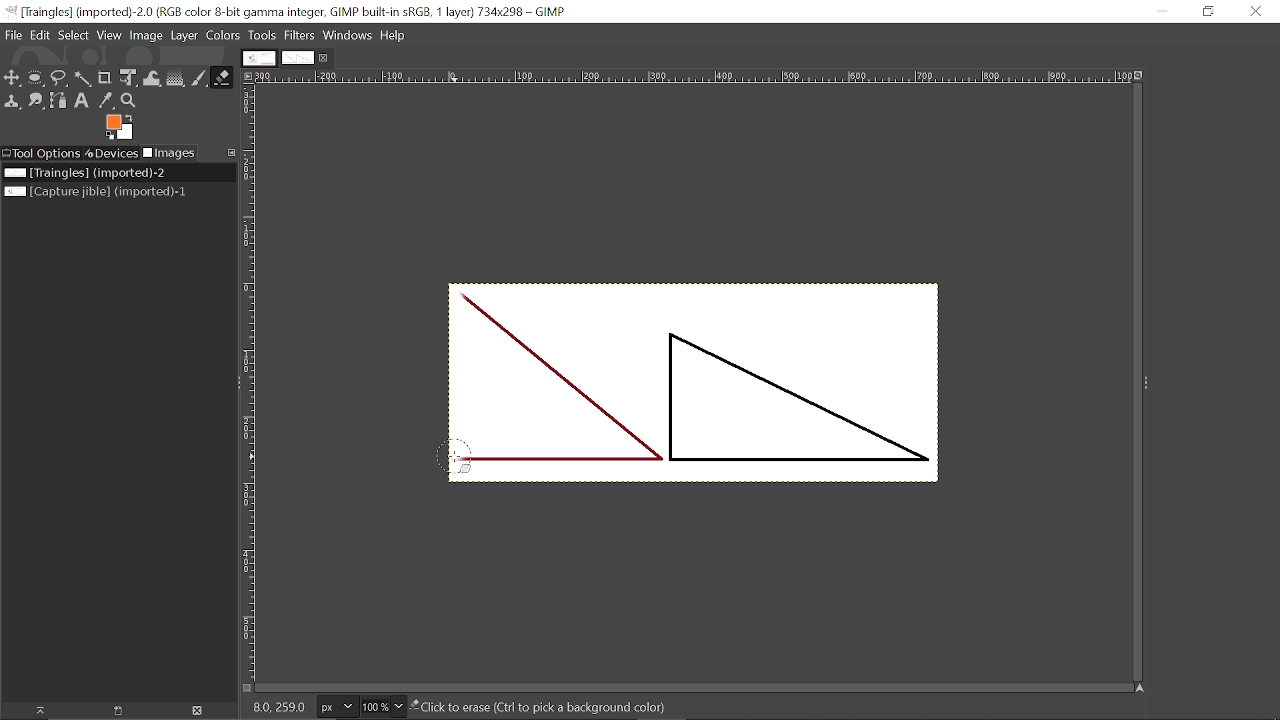  Describe the element at coordinates (184, 37) in the screenshot. I see `Layer` at that location.